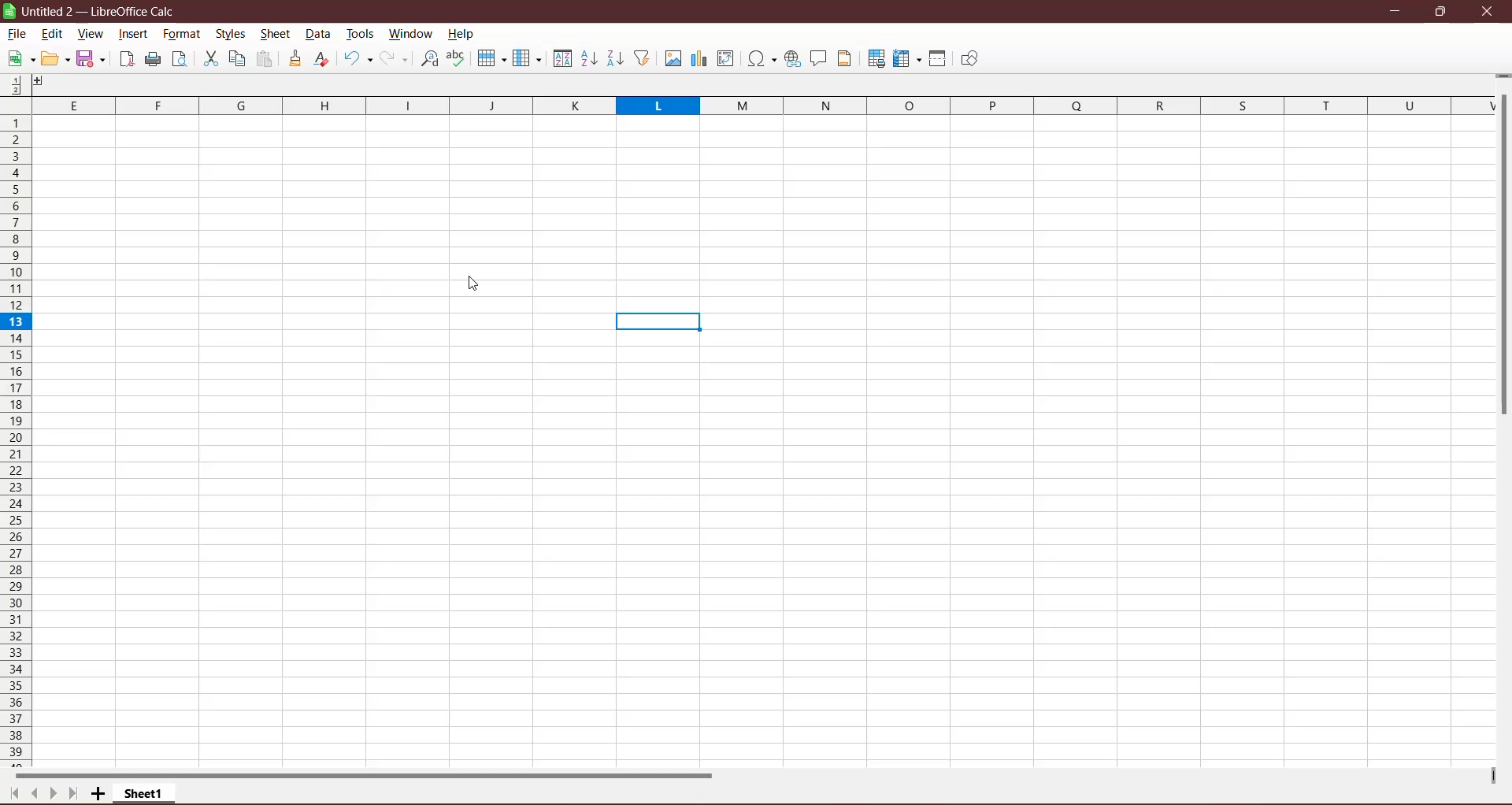 Image resolution: width=1512 pixels, height=805 pixels. Describe the element at coordinates (93, 60) in the screenshot. I see `Save` at that location.